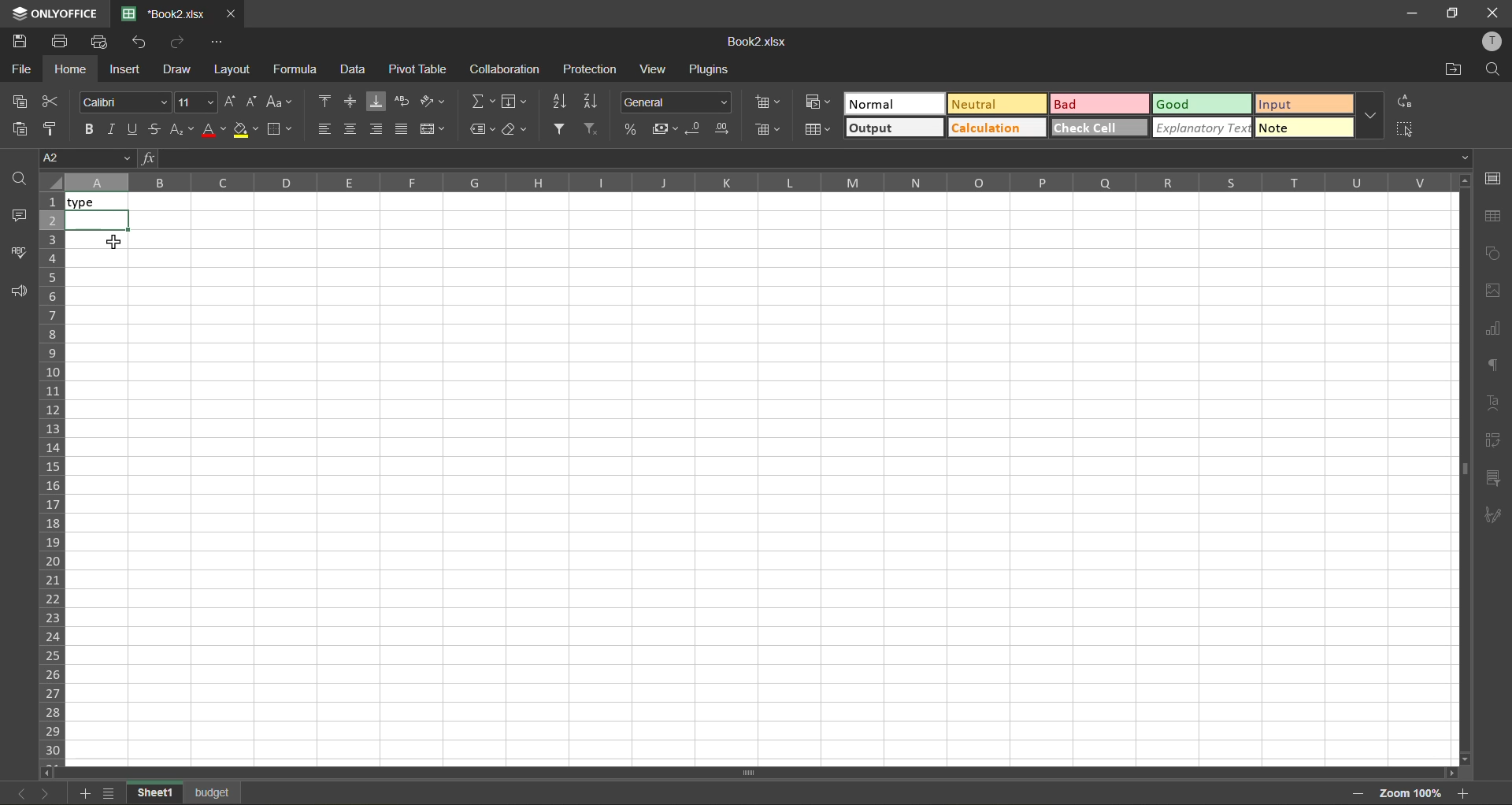  I want to click on row numbers, so click(51, 475).